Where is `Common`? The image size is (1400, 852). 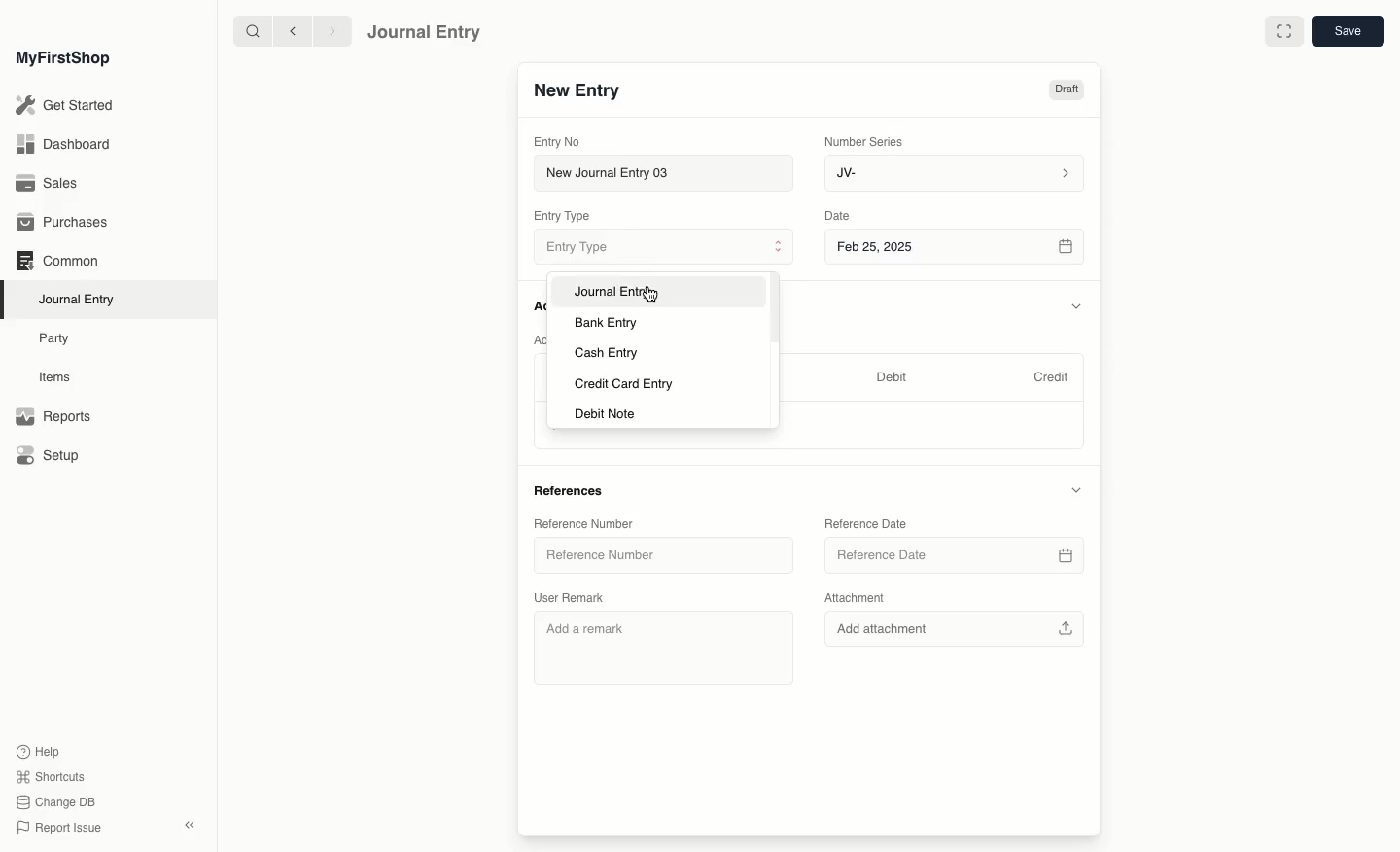
Common is located at coordinates (56, 261).